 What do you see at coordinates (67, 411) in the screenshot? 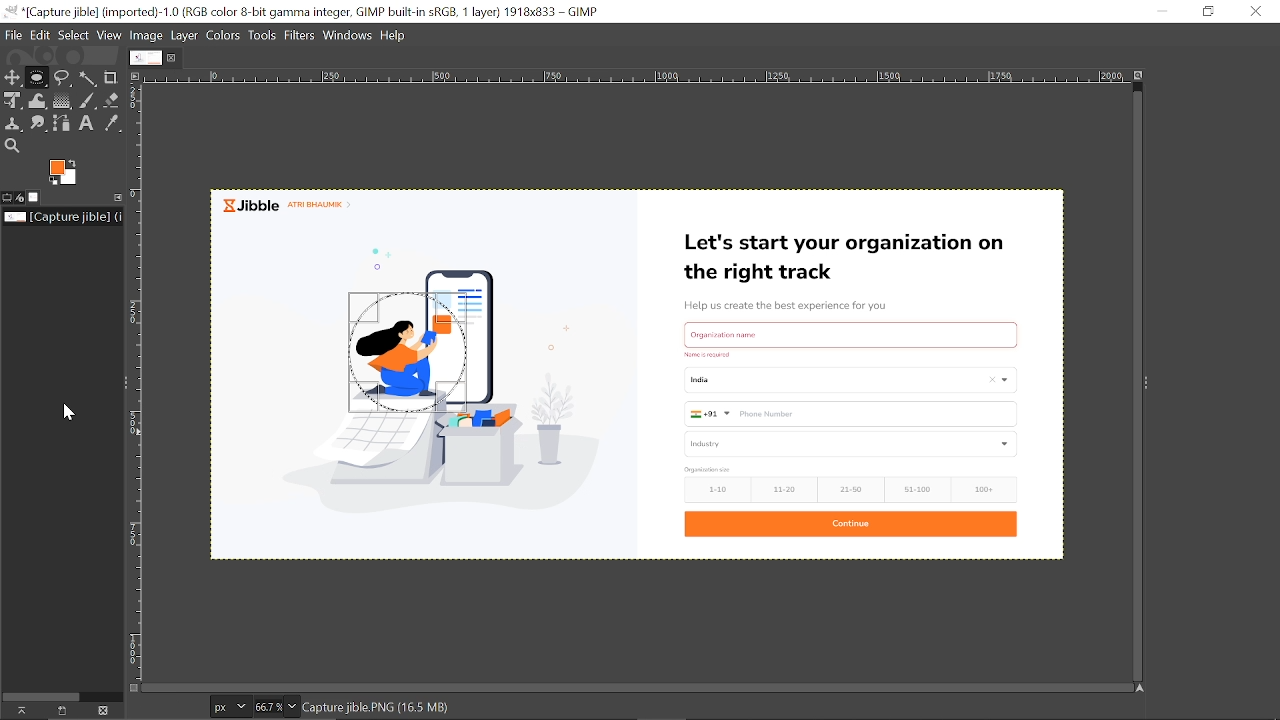
I see `Cursor` at bounding box center [67, 411].